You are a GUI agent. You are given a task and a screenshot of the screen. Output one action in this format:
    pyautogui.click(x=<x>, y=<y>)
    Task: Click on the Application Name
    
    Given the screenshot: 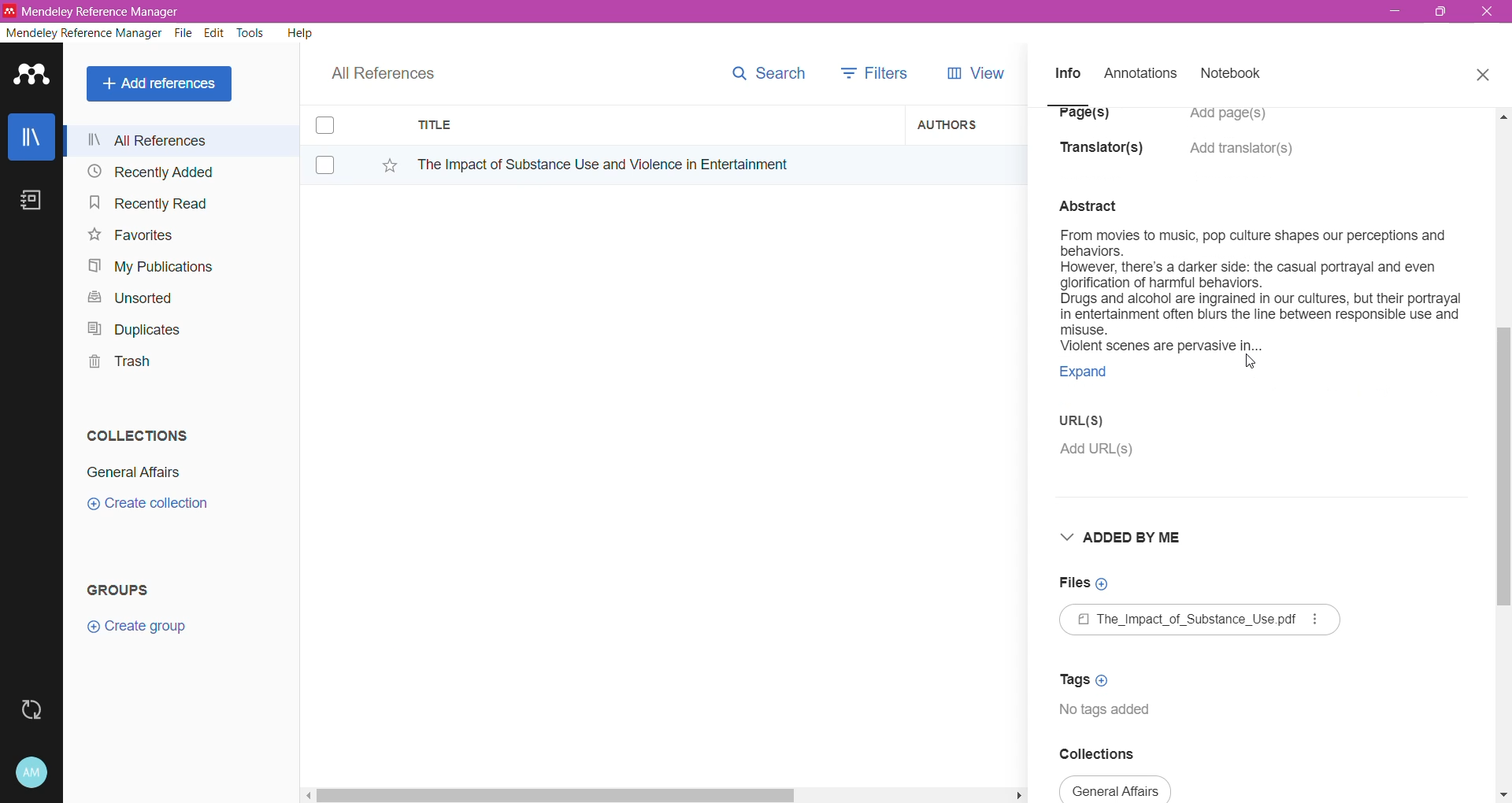 What is the action you would take?
    pyautogui.click(x=94, y=11)
    